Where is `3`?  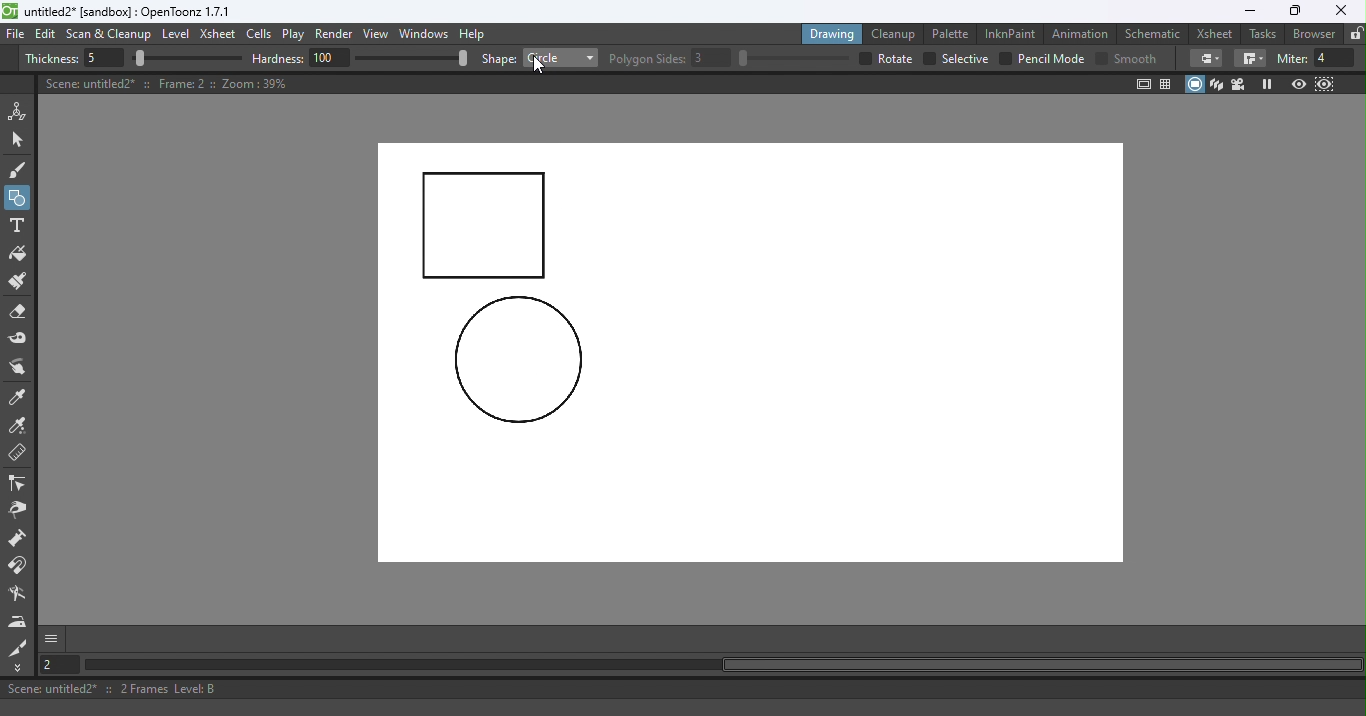 3 is located at coordinates (712, 58).